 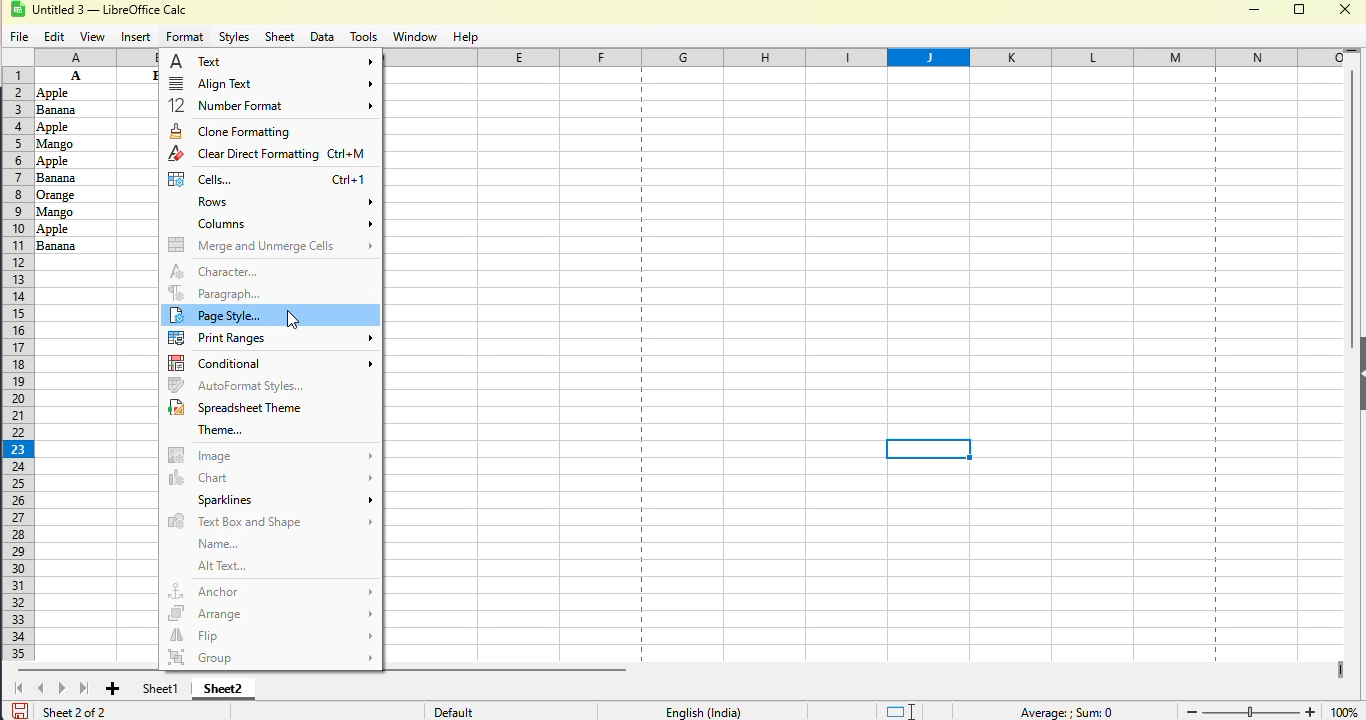 I want to click on scroll to next sheet, so click(x=62, y=688).